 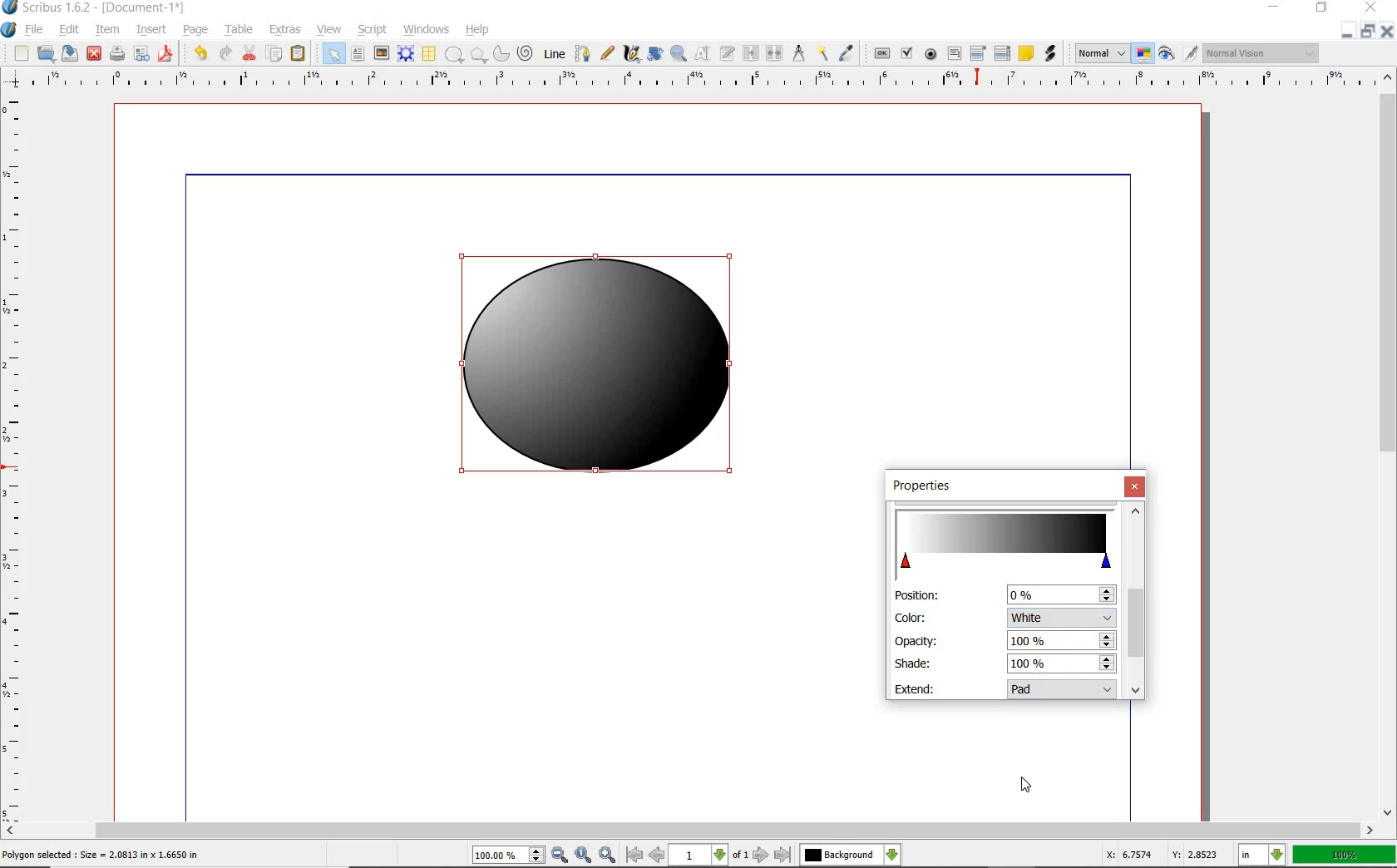 What do you see at coordinates (892, 855) in the screenshot?
I see `select the current layer` at bounding box center [892, 855].